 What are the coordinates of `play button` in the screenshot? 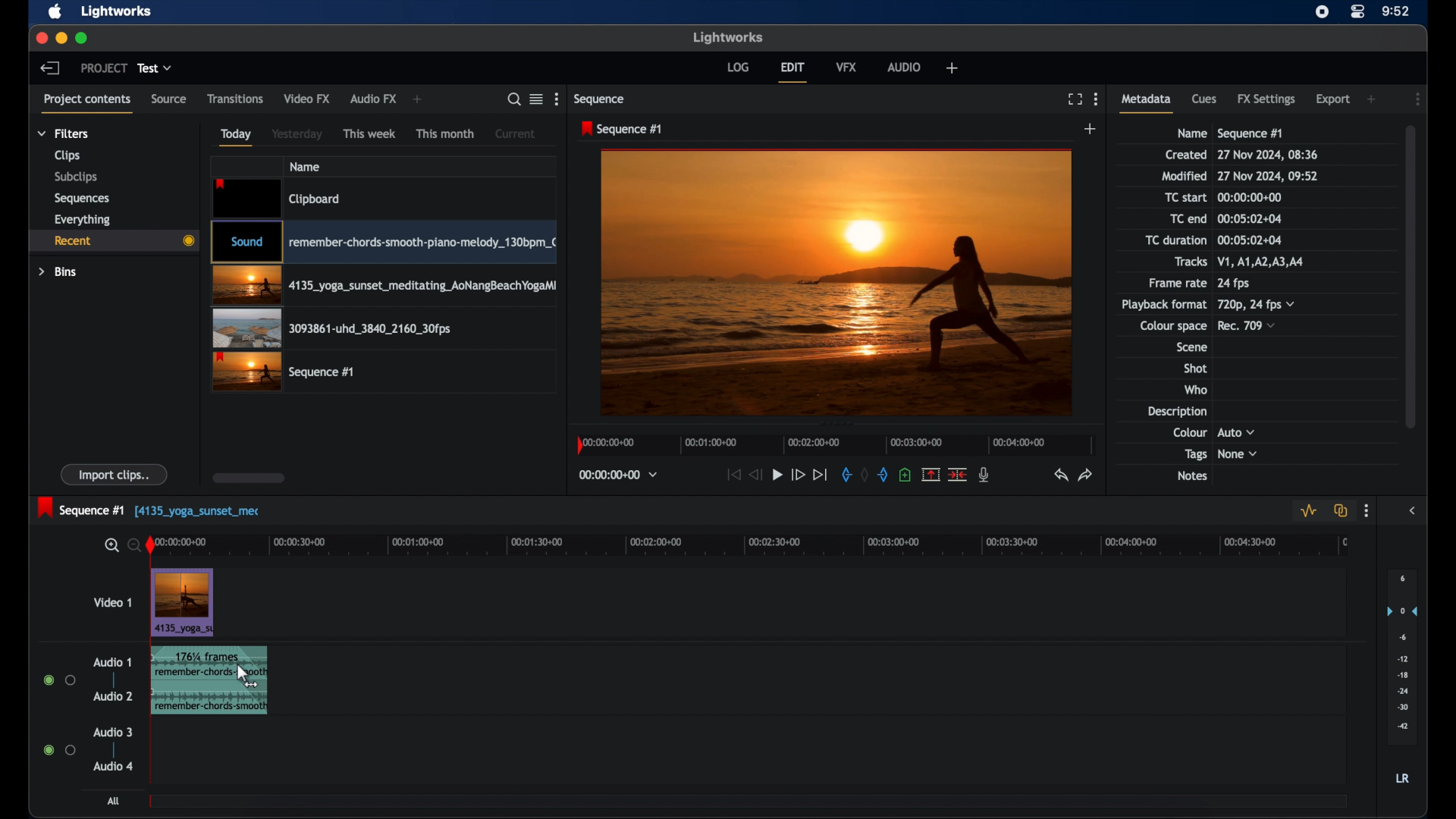 It's located at (777, 474).